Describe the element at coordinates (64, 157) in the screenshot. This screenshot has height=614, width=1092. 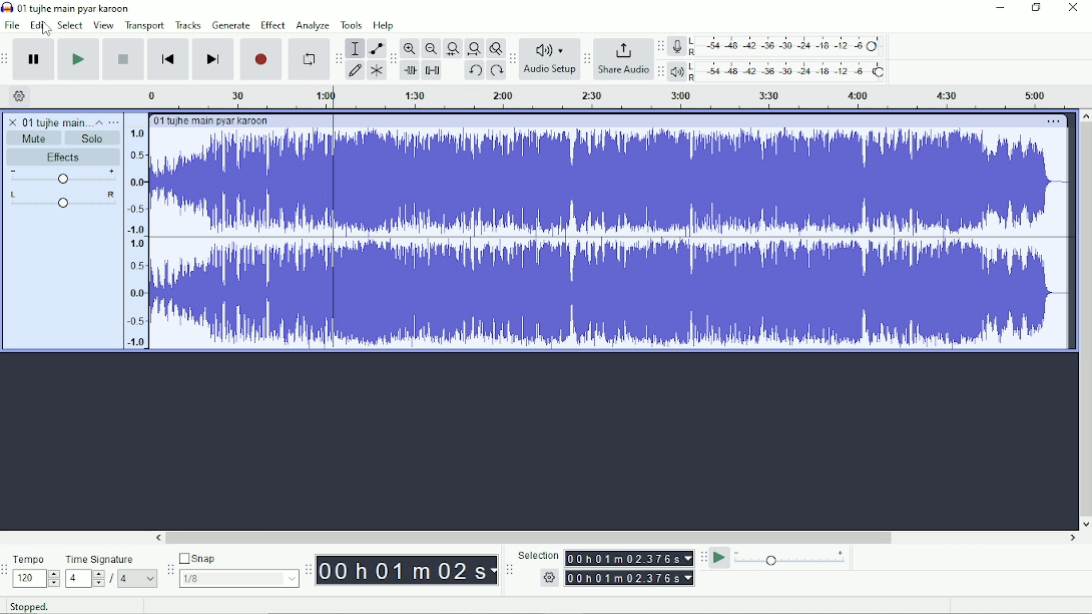
I see `Effects` at that location.